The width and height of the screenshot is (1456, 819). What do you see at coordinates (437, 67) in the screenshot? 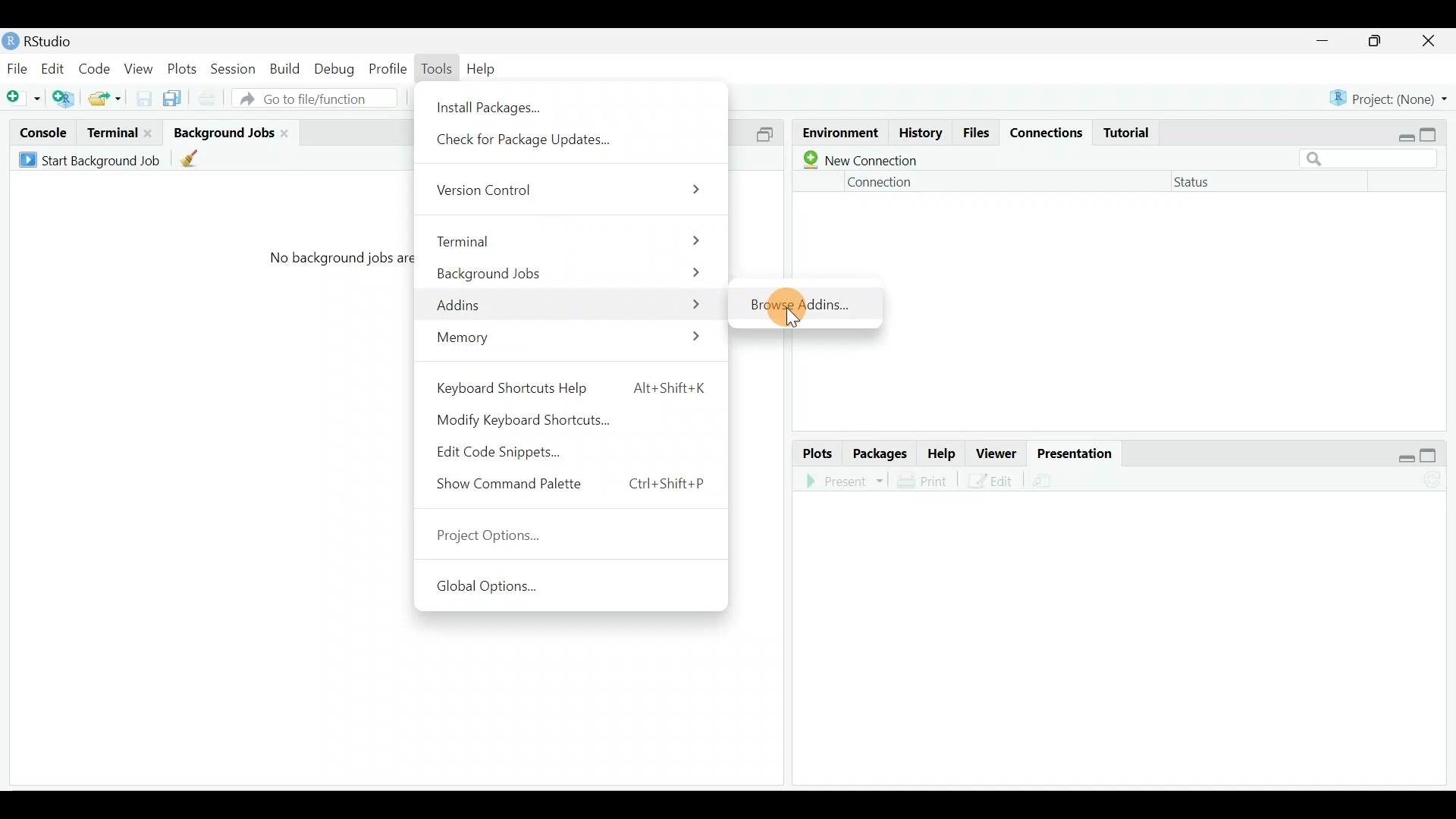
I see `Tools` at bounding box center [437, 67].